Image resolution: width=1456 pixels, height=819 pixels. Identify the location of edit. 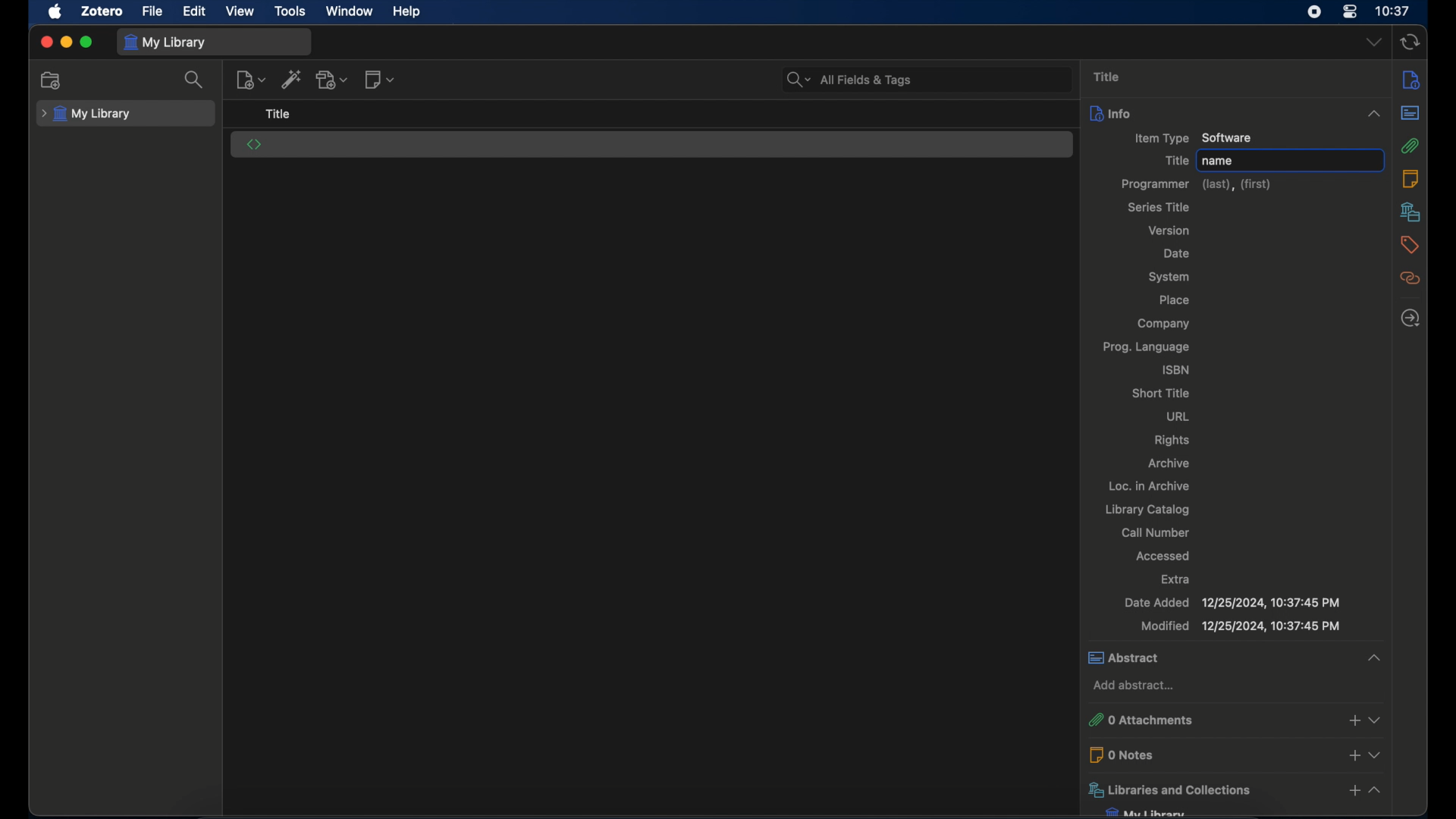
(194, 12).